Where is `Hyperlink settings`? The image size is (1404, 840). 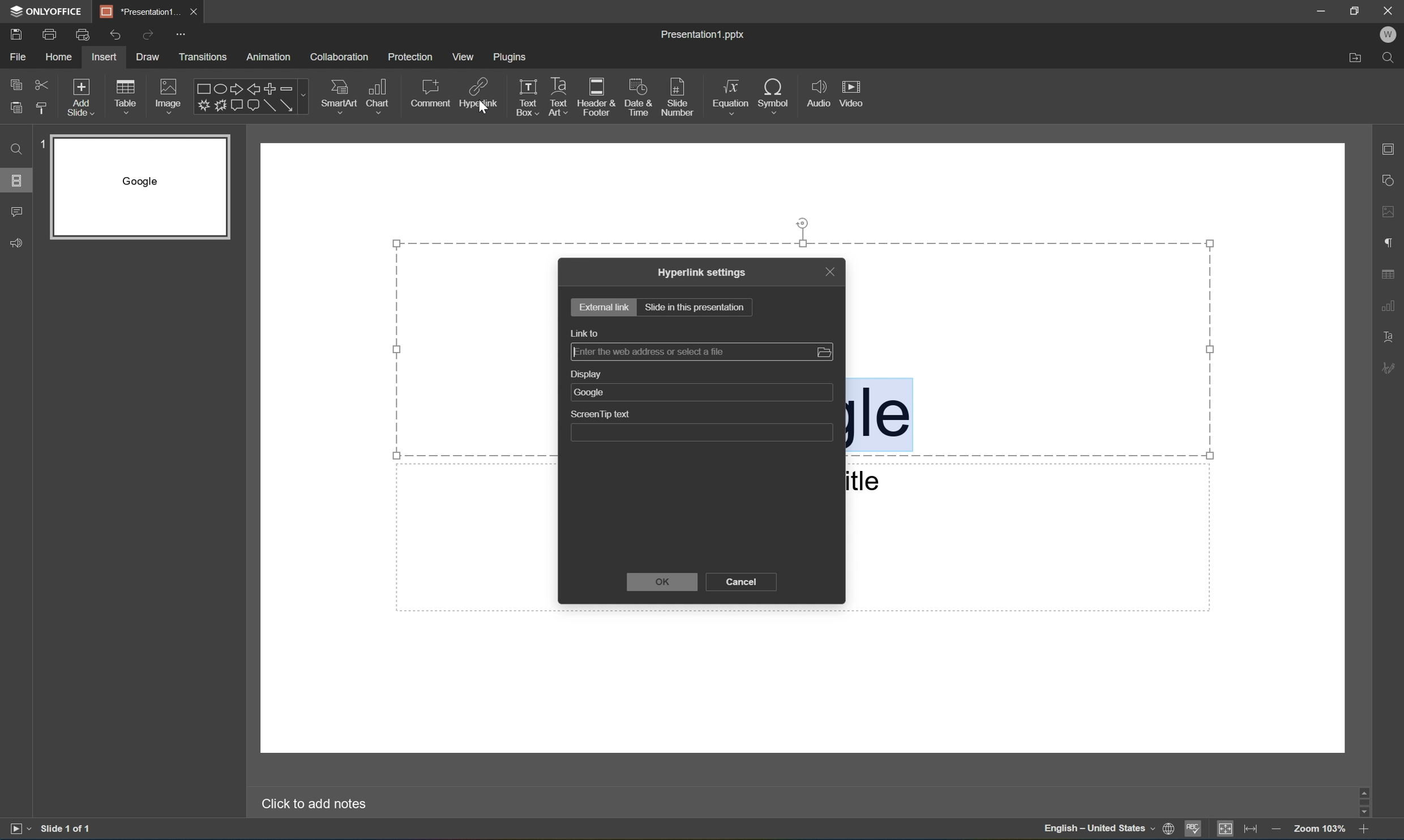
Hyperlink settings is located at coordinates (703, 272).